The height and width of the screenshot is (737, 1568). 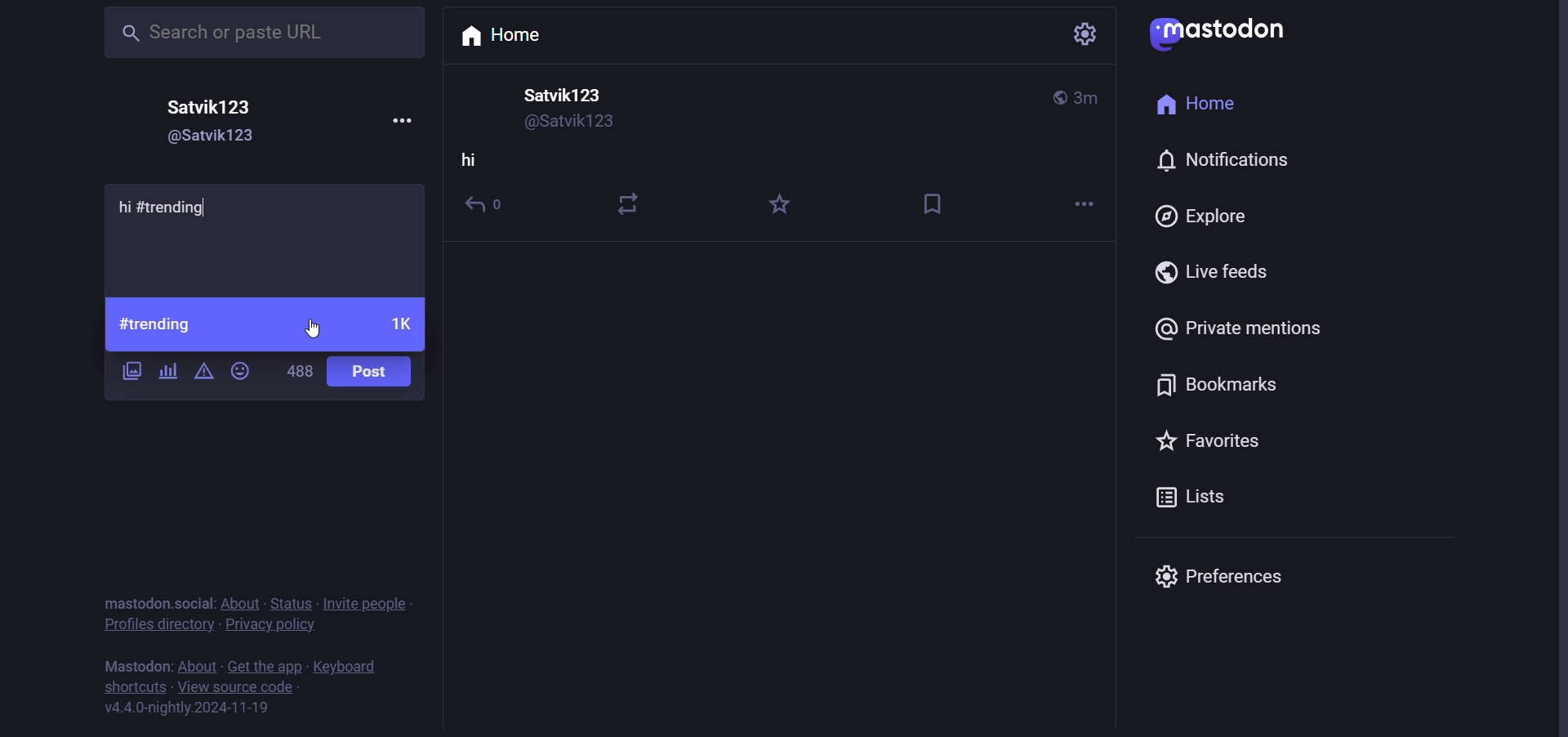 What do you see at coordinates (165, 370) in the screenshot?
I see `poll` at bounding box center [165, 370].